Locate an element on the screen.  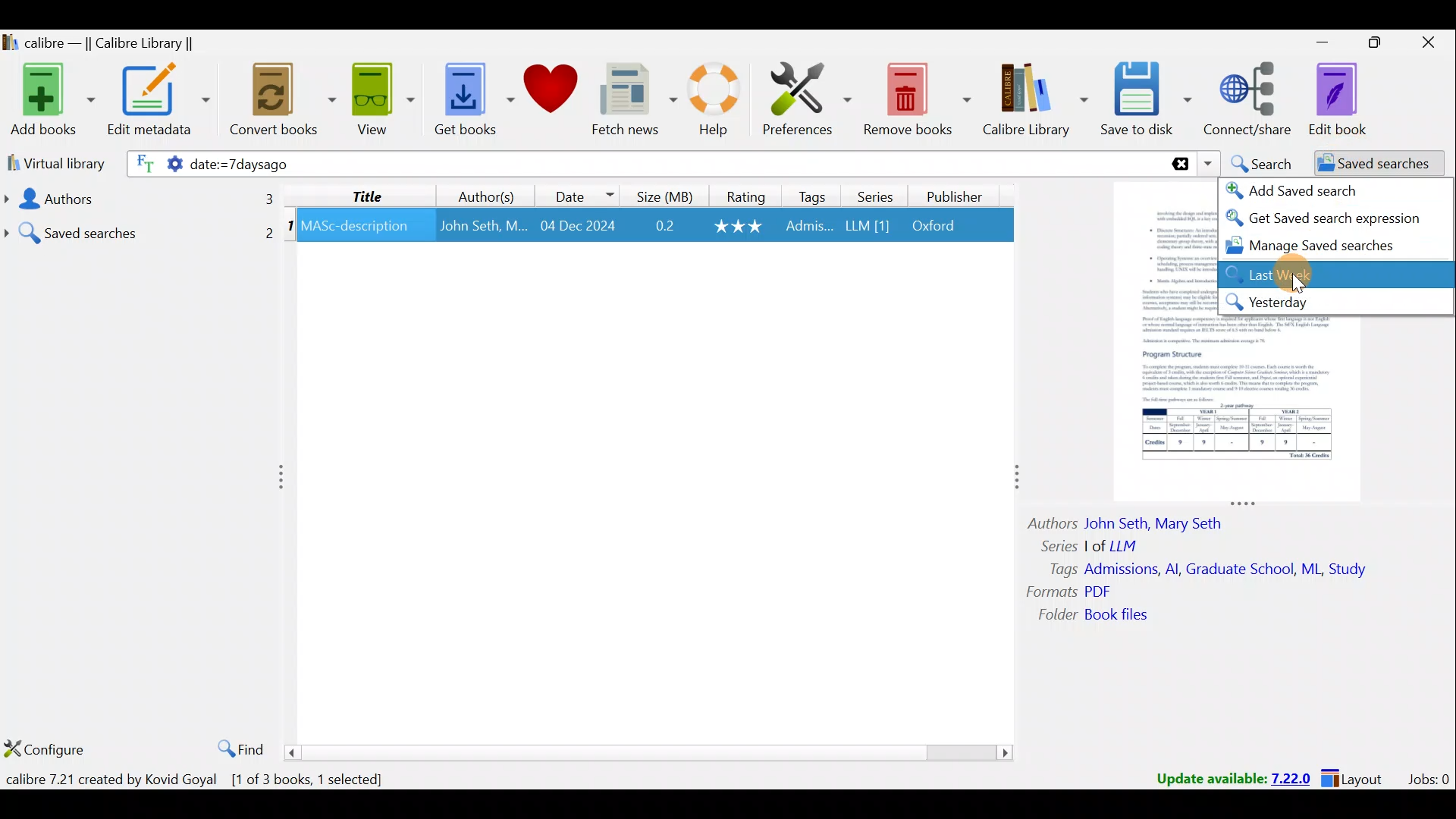
Search is located at coordinates (1260, 162).